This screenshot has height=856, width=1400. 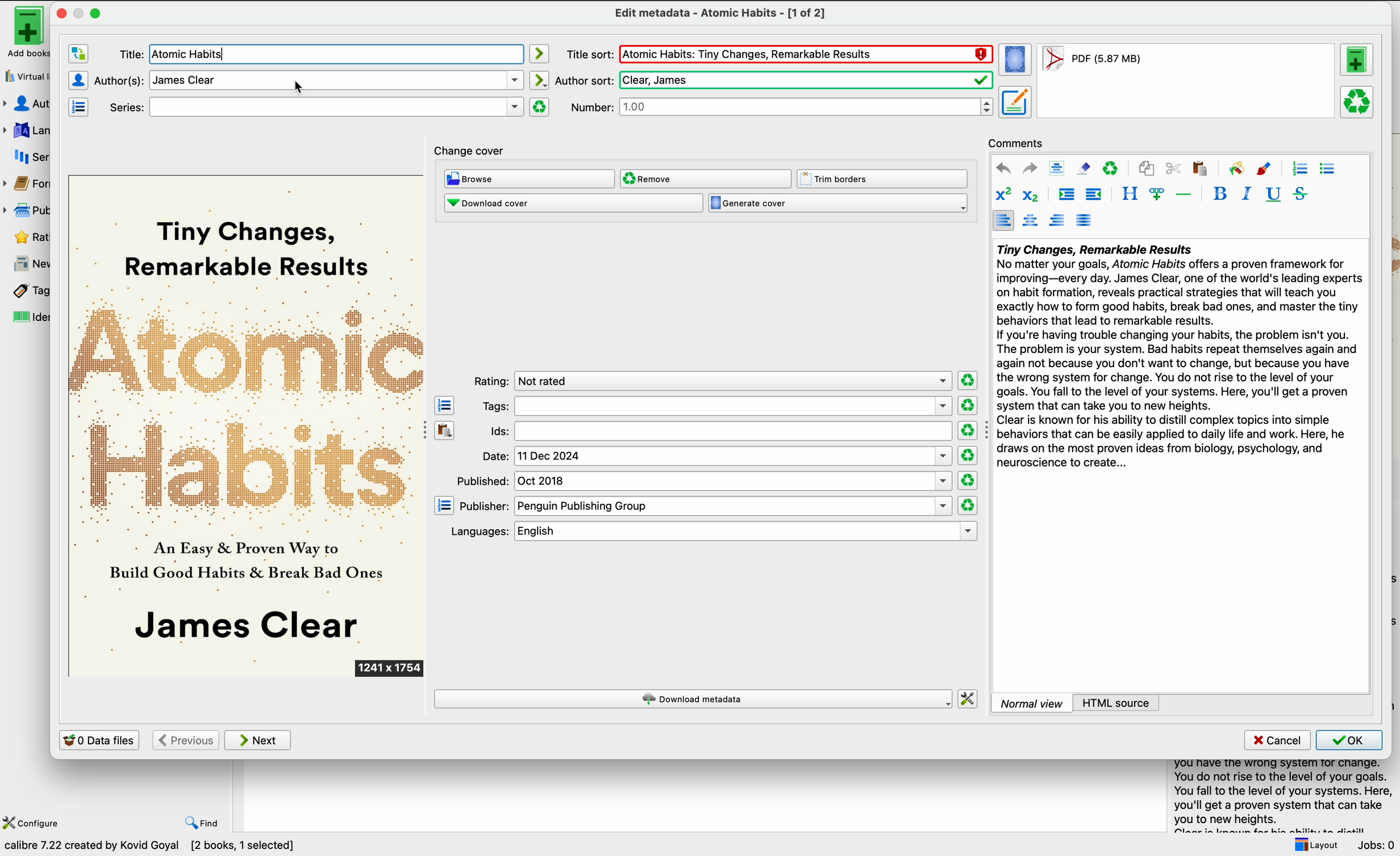 What do you see at coordinates (719, 14) in the screenshot?
I see `edit metadata` at bounding box center [719, 14].